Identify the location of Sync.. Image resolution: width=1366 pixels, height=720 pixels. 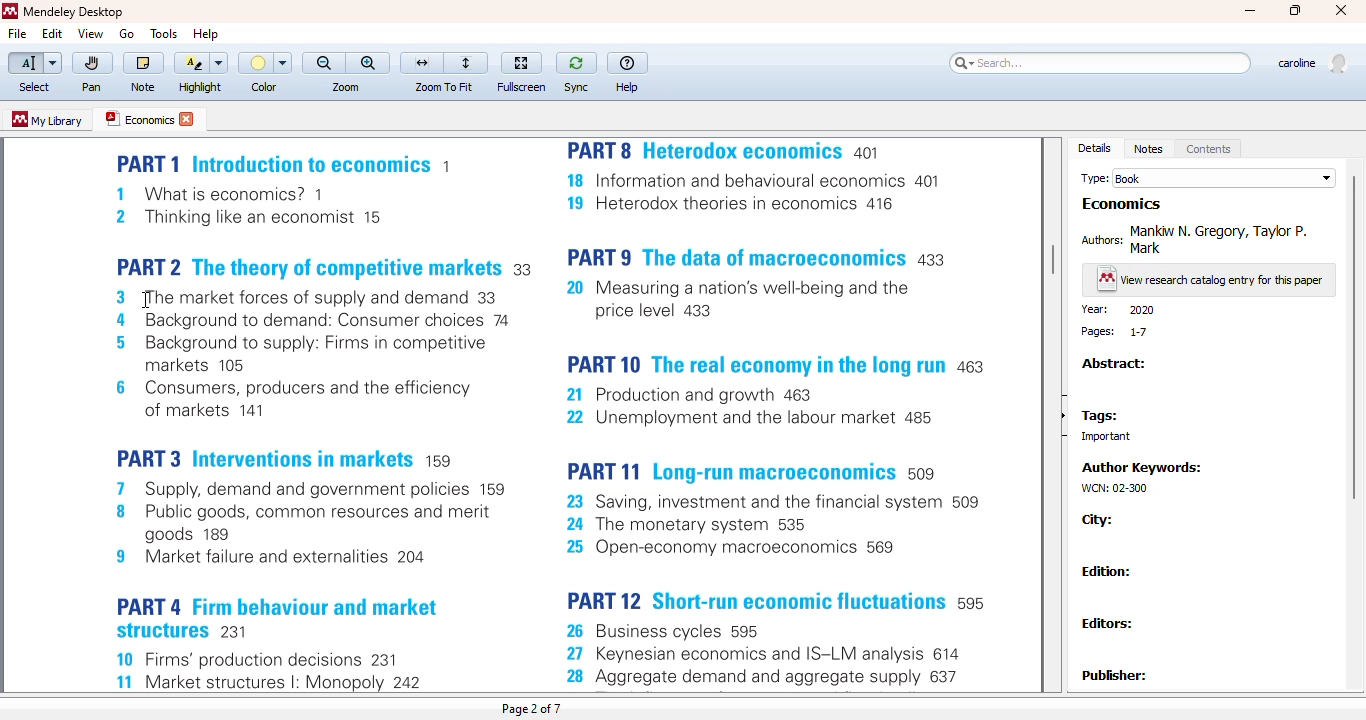
(580, 88).